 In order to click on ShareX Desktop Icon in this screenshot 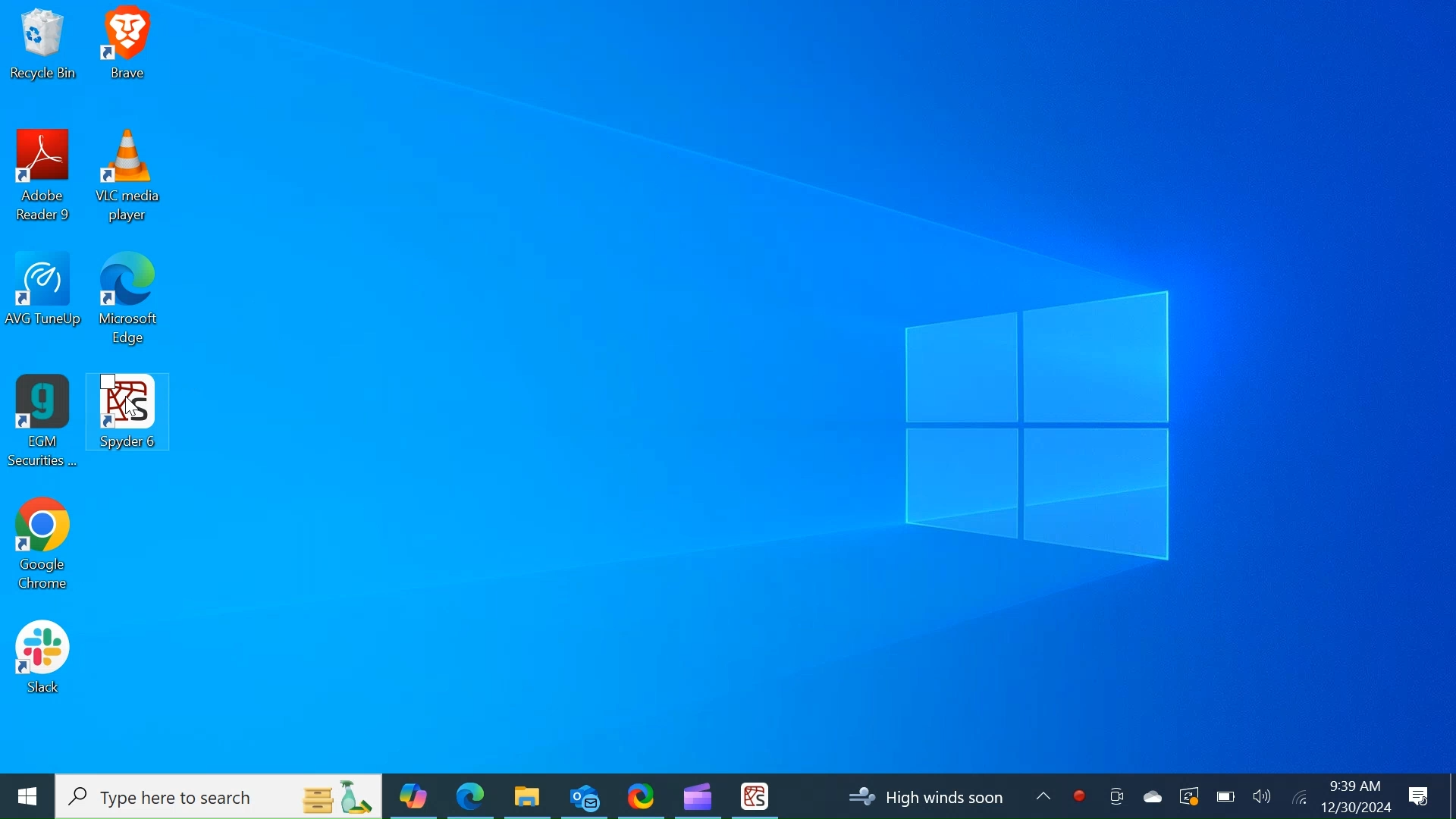, I will do `click(640, 795)`.